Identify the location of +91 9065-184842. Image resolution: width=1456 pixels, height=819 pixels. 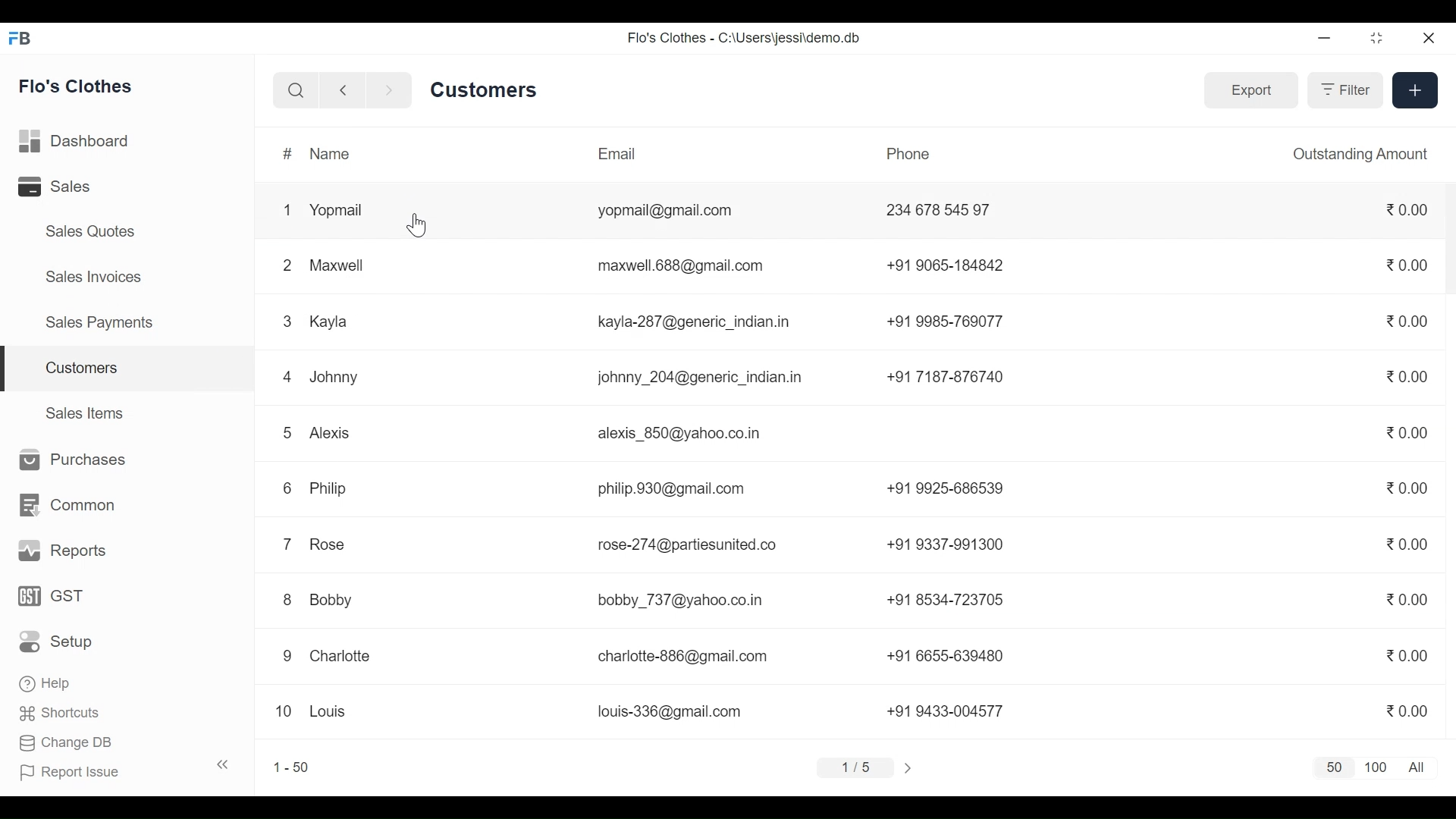
(945, 266).